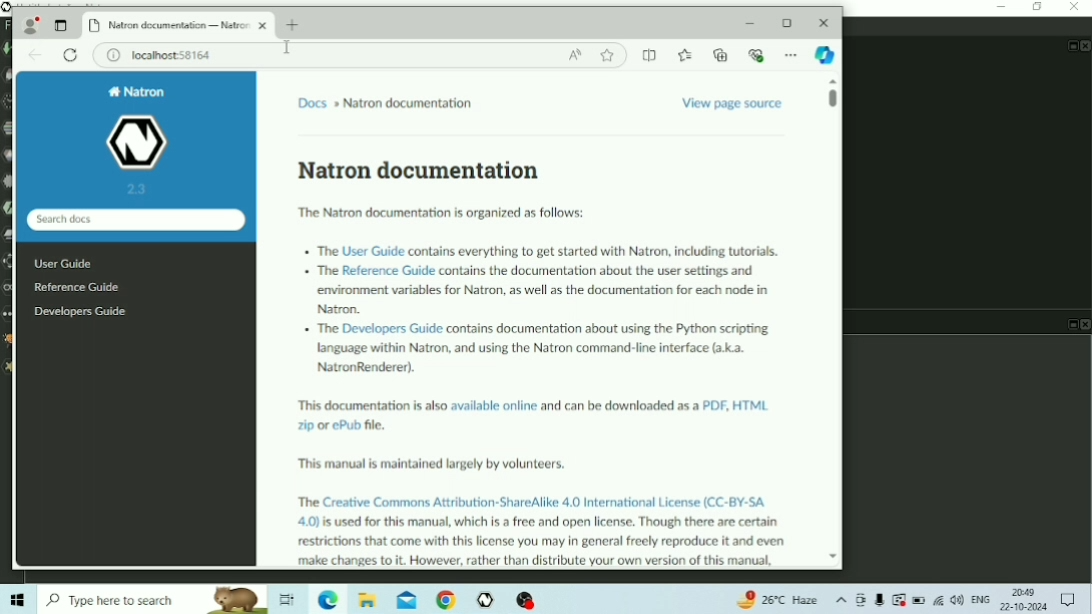  What do you see at coordinates (264, 25) in the screenshot?
I see `Close` at bounding box center [264, 25].